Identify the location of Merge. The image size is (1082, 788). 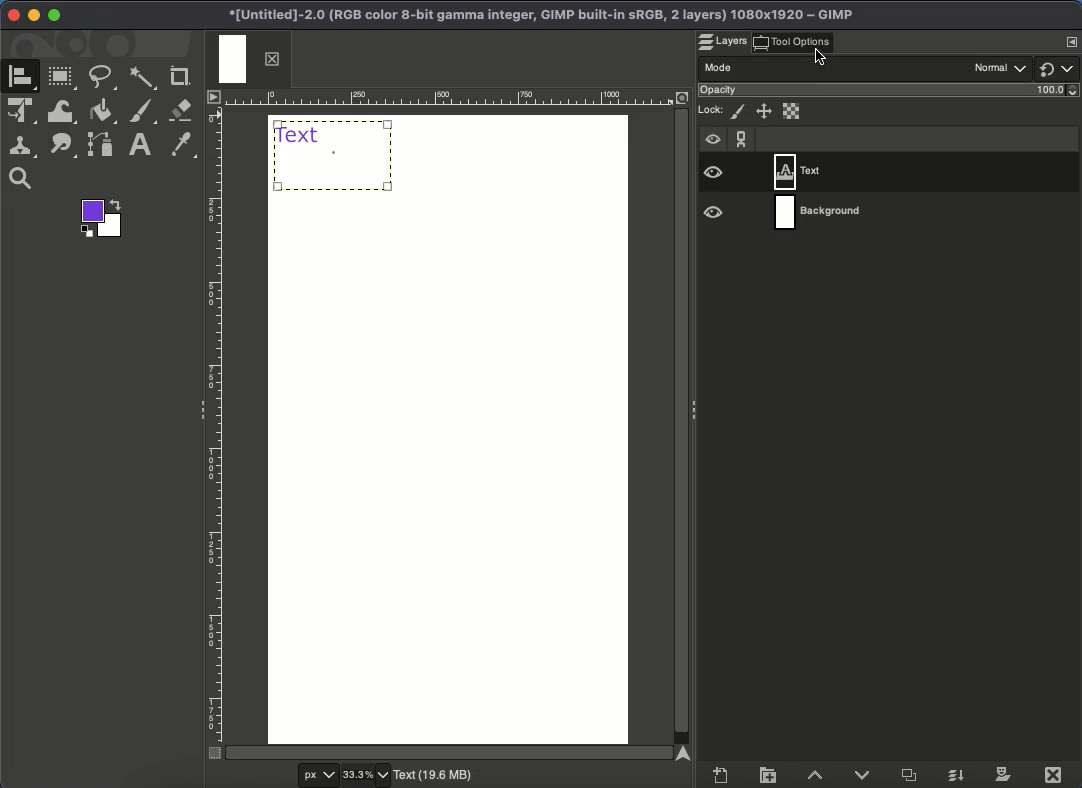
(958, 773).